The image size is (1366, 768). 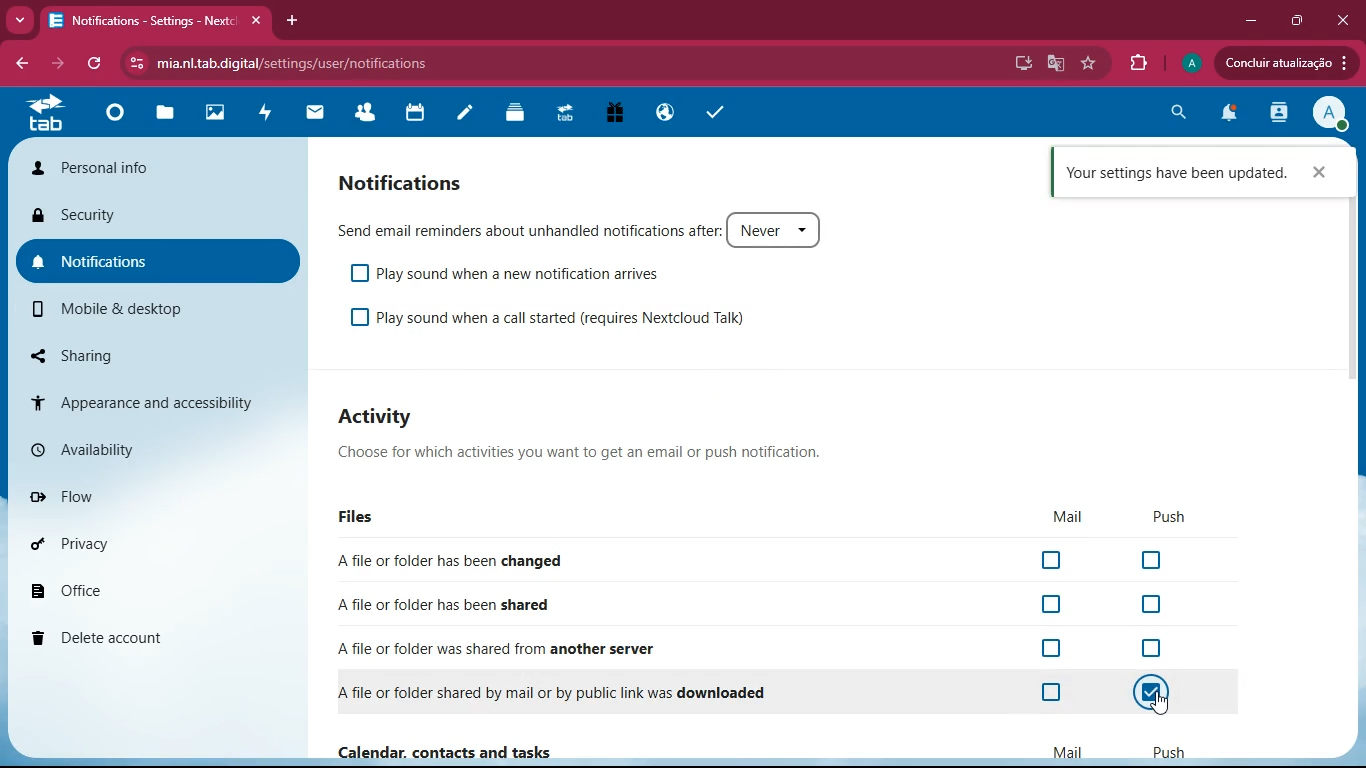 What do you see at coordinates (579, 230) in the screenshot?
I see `Send email reminders about unhandled notifications after: Never ` at bounding box center [579, 230].